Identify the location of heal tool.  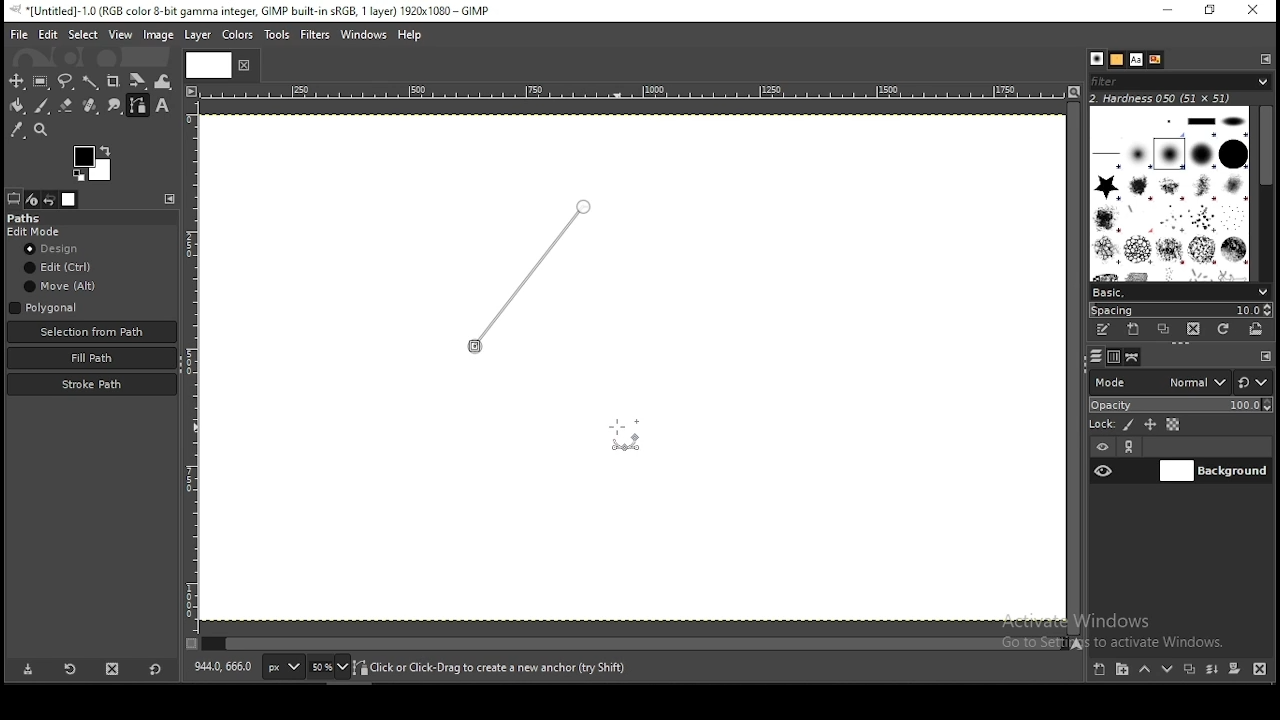
(91, 107).